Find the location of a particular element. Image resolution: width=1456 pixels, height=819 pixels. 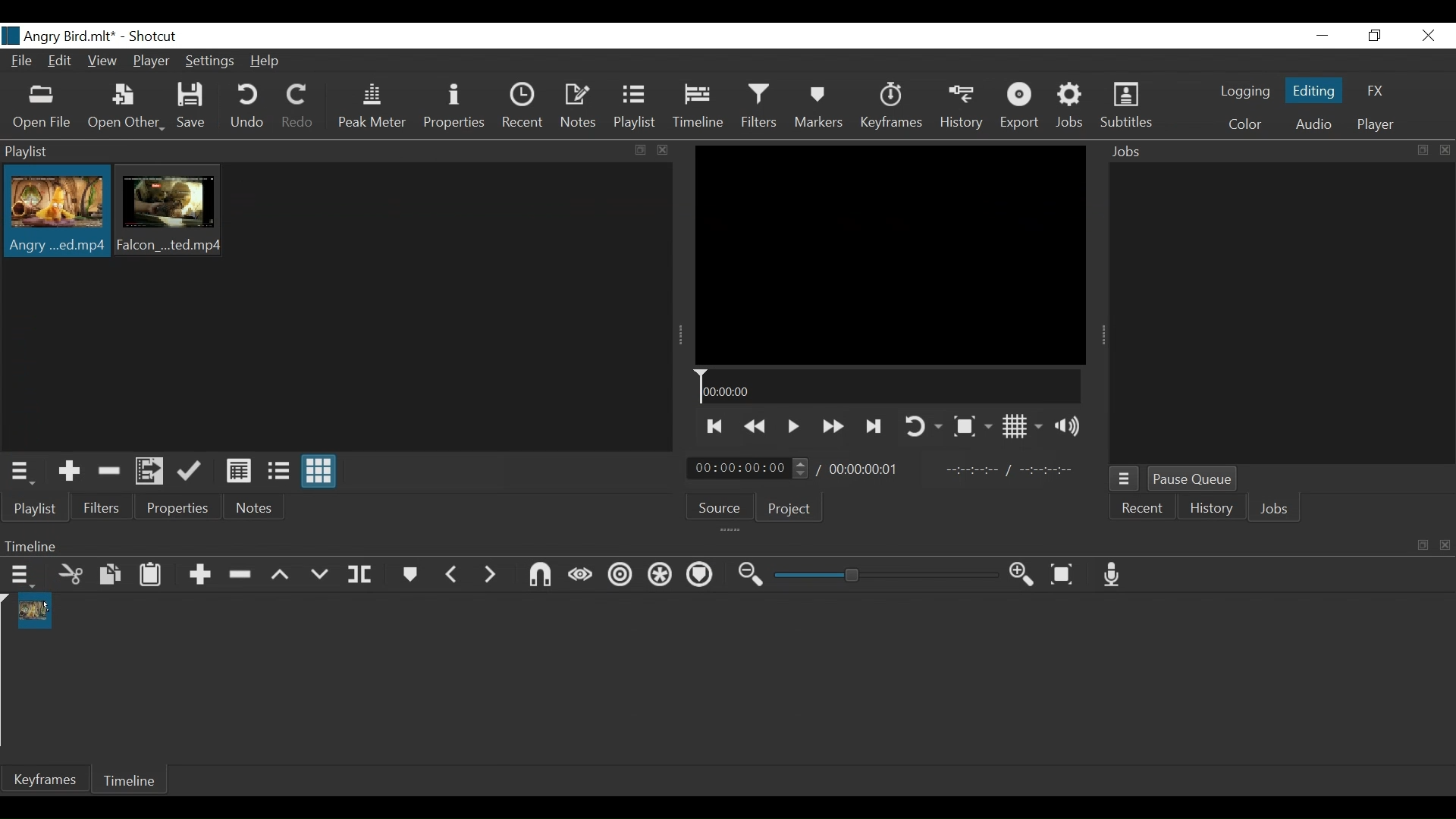

Playlist is located at coordinates (638, 108).